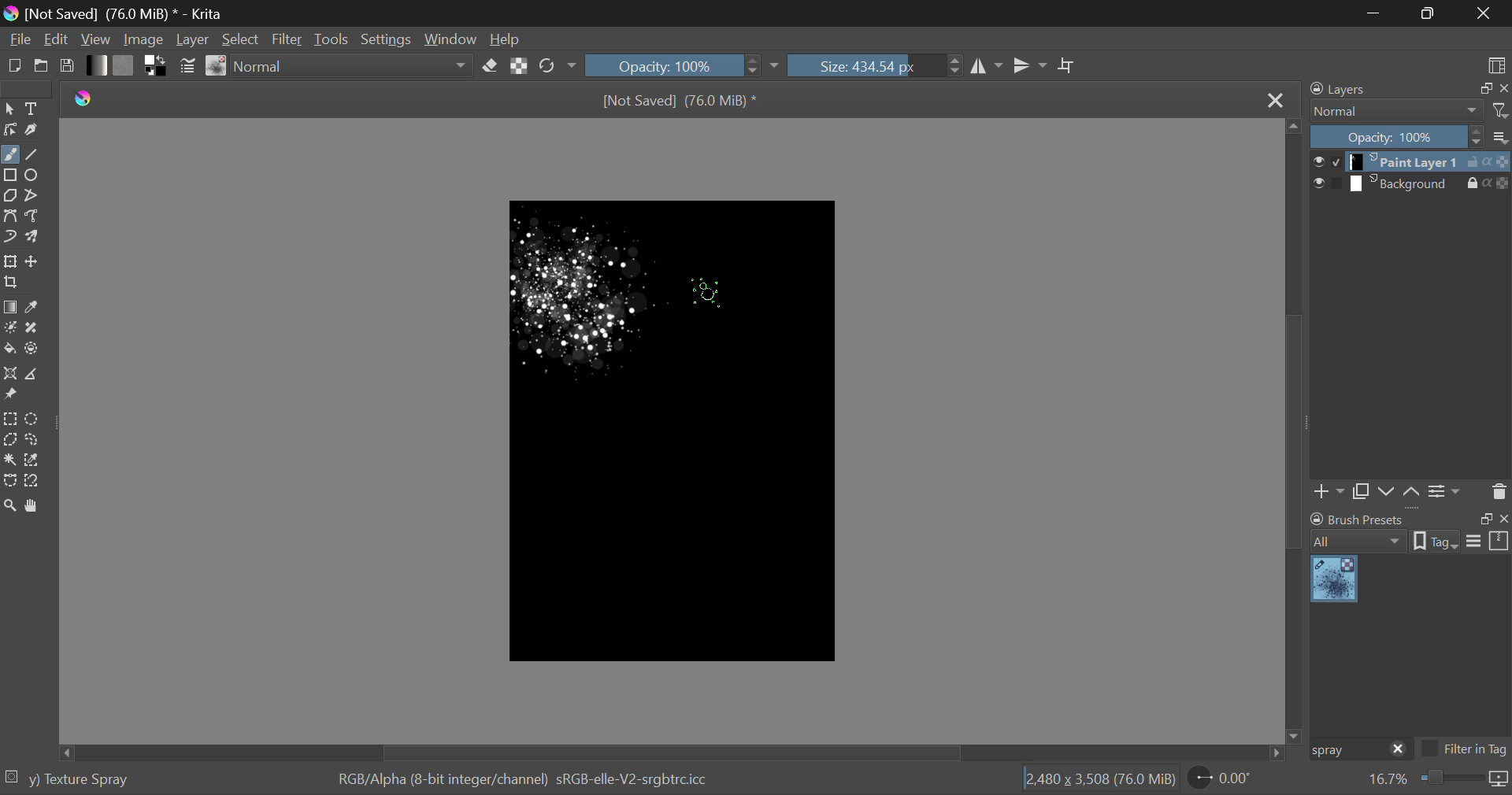  What do you see at coordinates (9, 12) in the screenshot?
I see `logo` at bounding box center [9, 12].